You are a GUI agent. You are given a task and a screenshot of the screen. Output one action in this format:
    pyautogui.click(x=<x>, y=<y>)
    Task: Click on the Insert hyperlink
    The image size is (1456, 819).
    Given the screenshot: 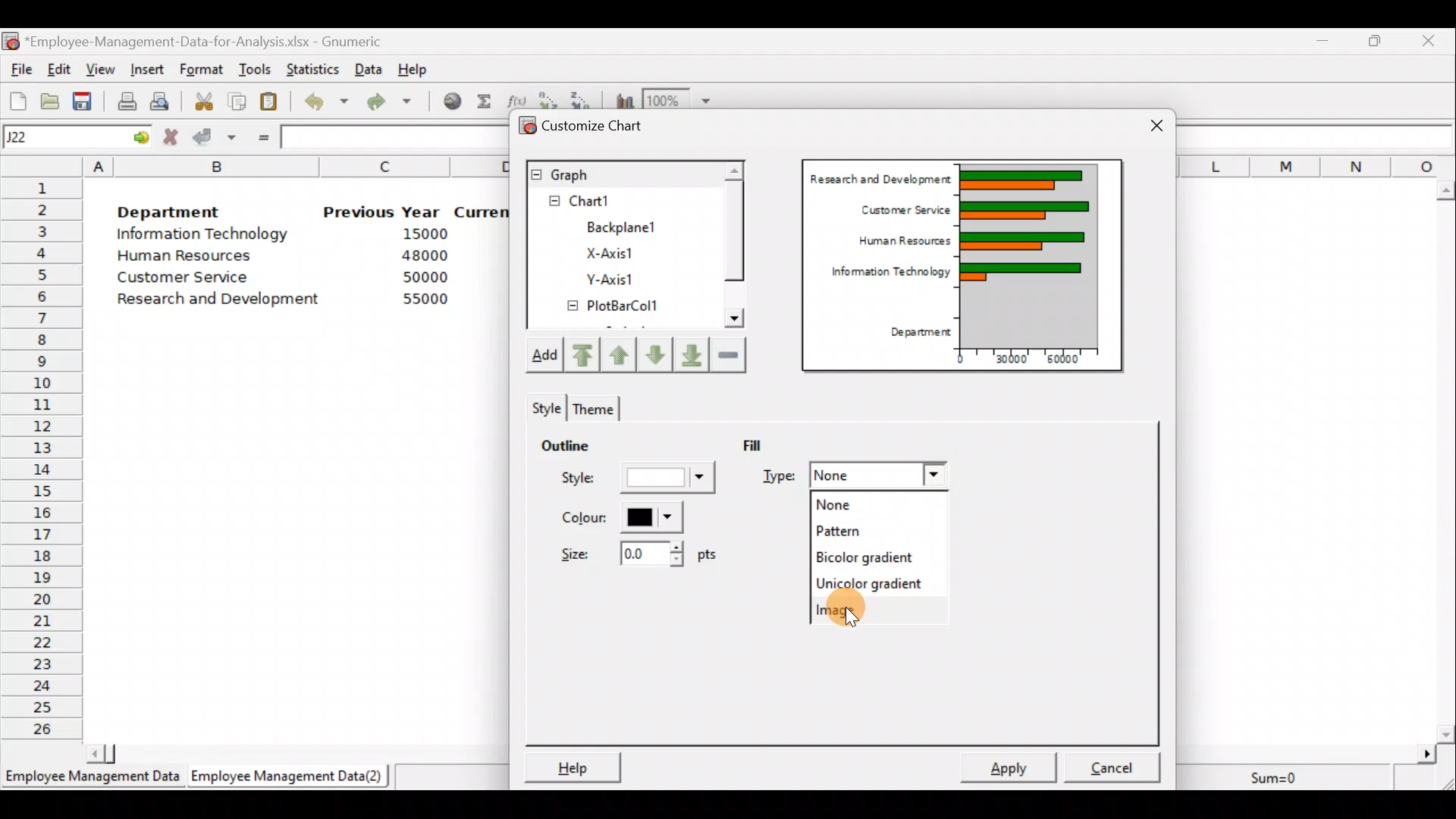 What is the action you would take?
    pyautogui.click(x=450, y=104)
    